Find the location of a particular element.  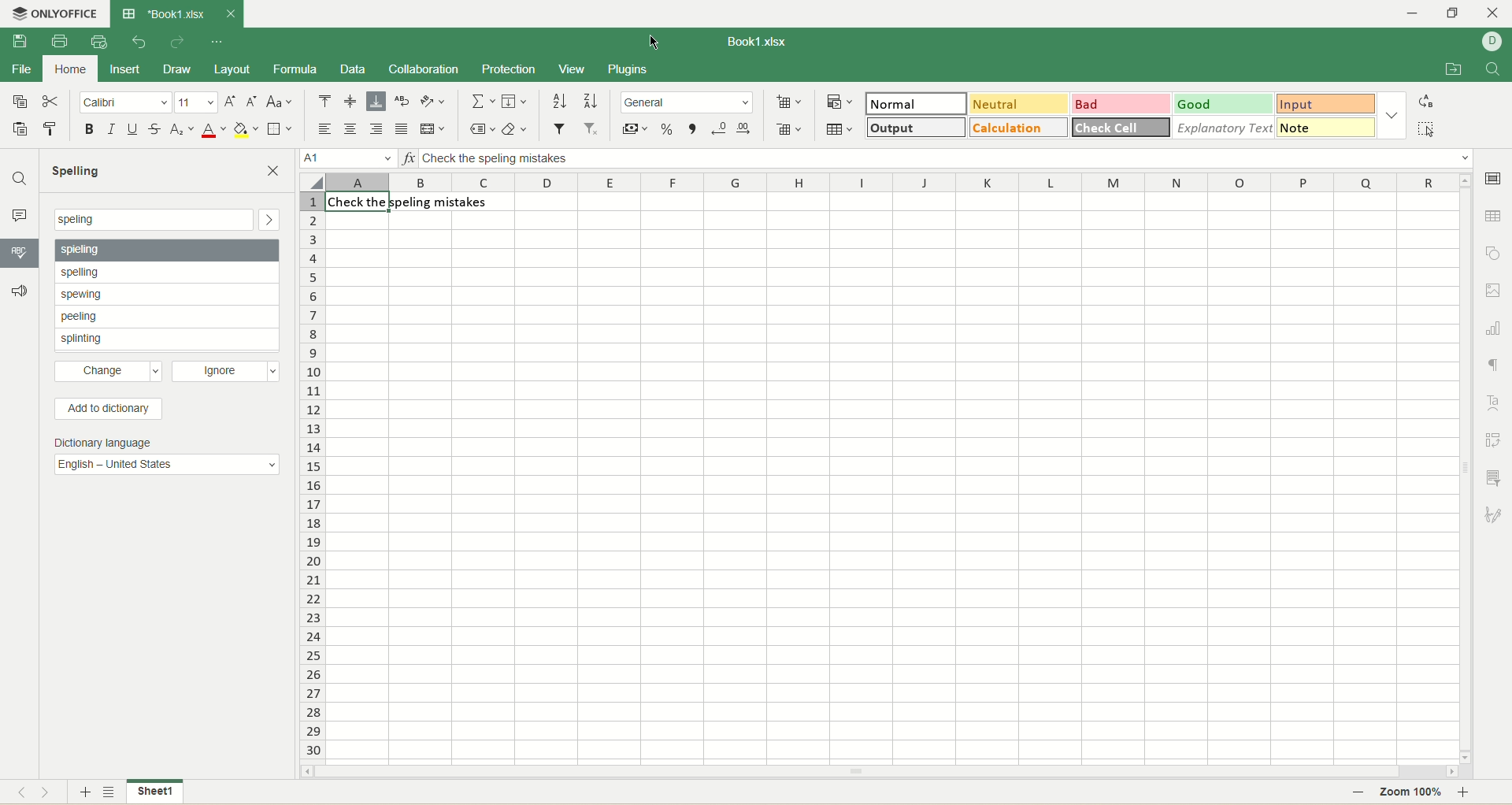

sheet list is located at coordinates (109, 793).